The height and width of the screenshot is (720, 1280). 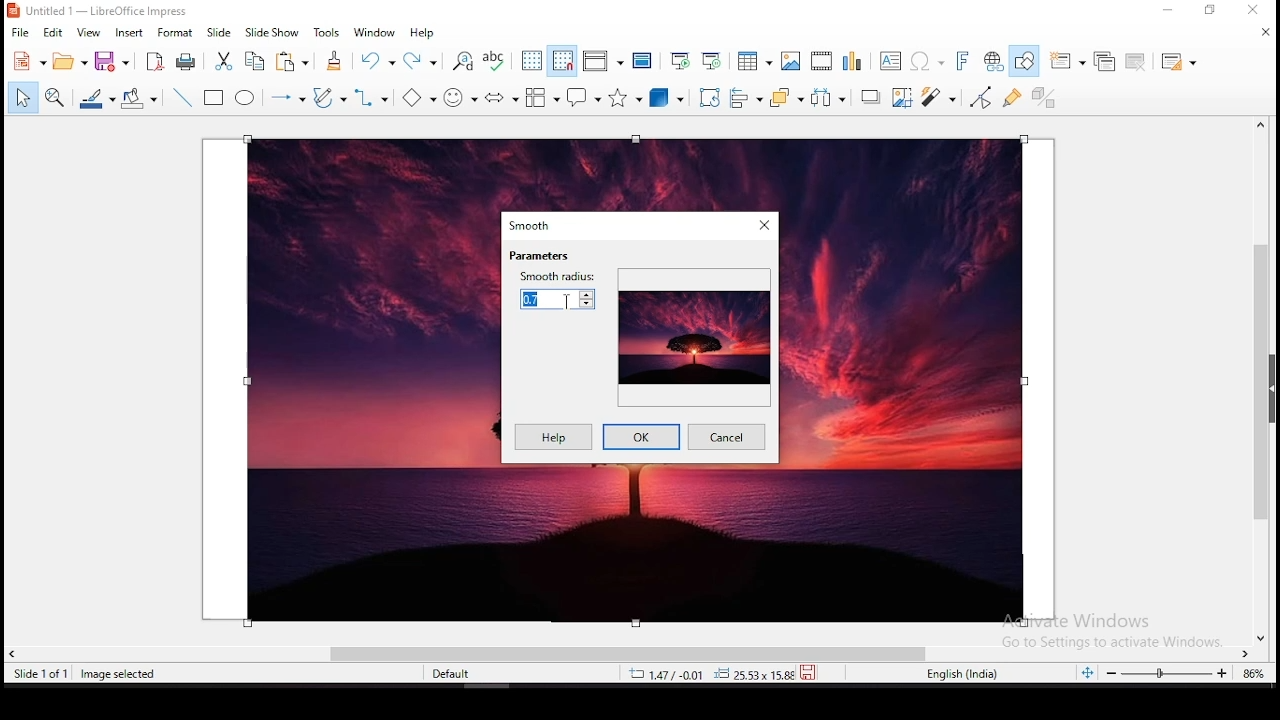 I want to click on display grid, so click(x=531, y=61).